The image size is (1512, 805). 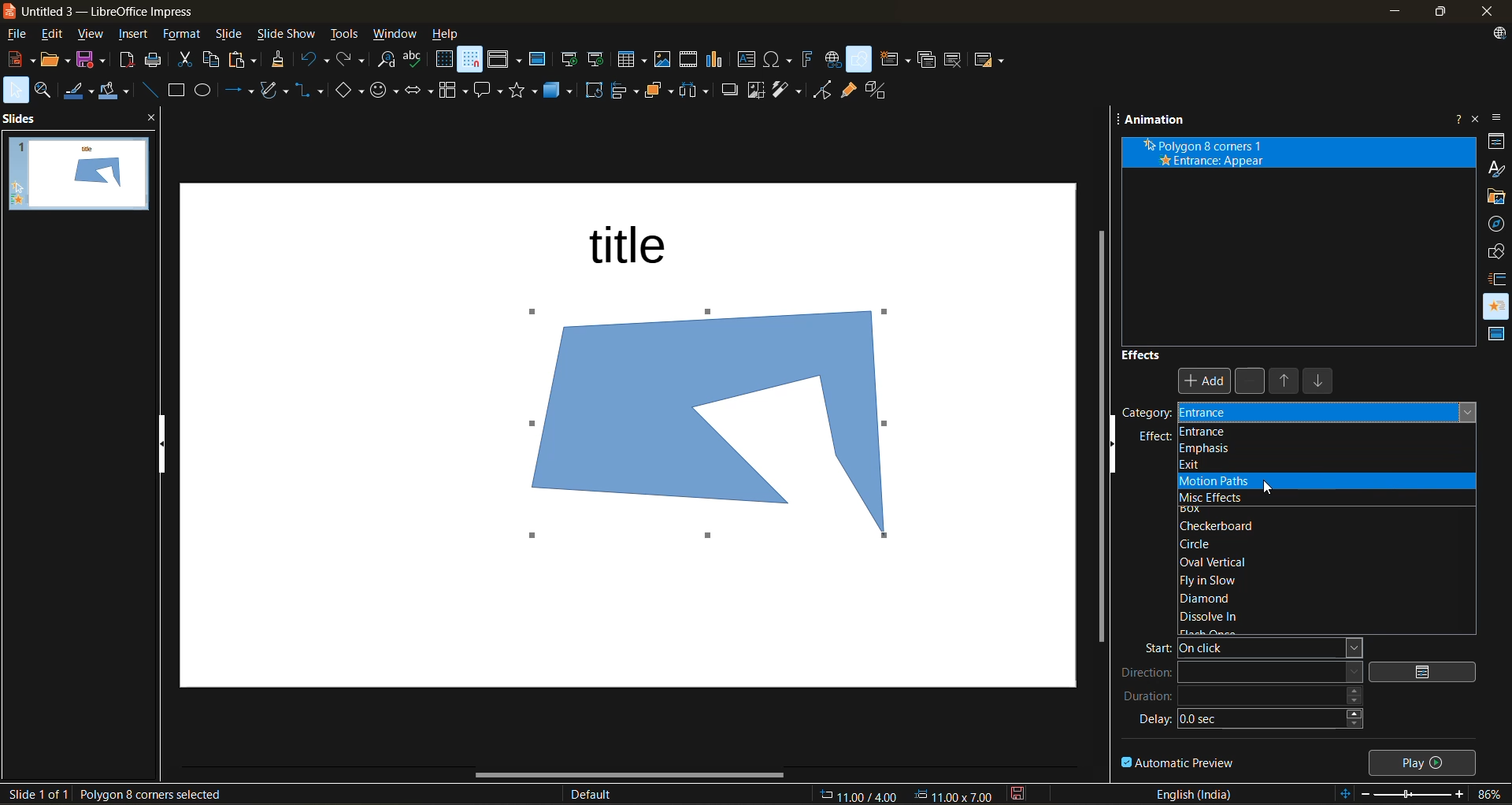 I want to click on rectangle, so click(x=175, y=90).